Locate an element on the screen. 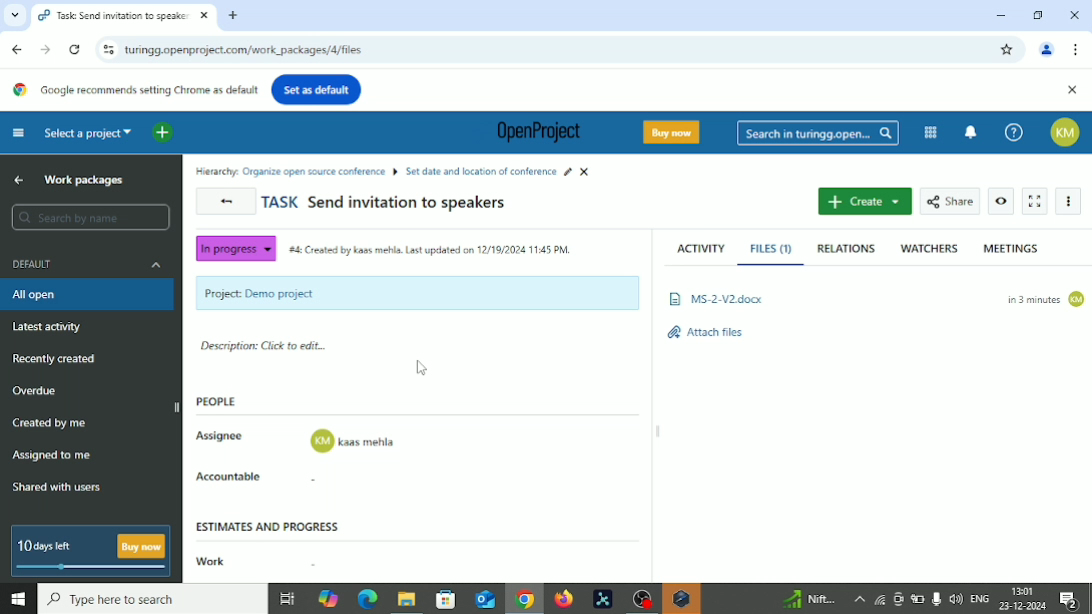  Activity is located at coordinates (695, 247).